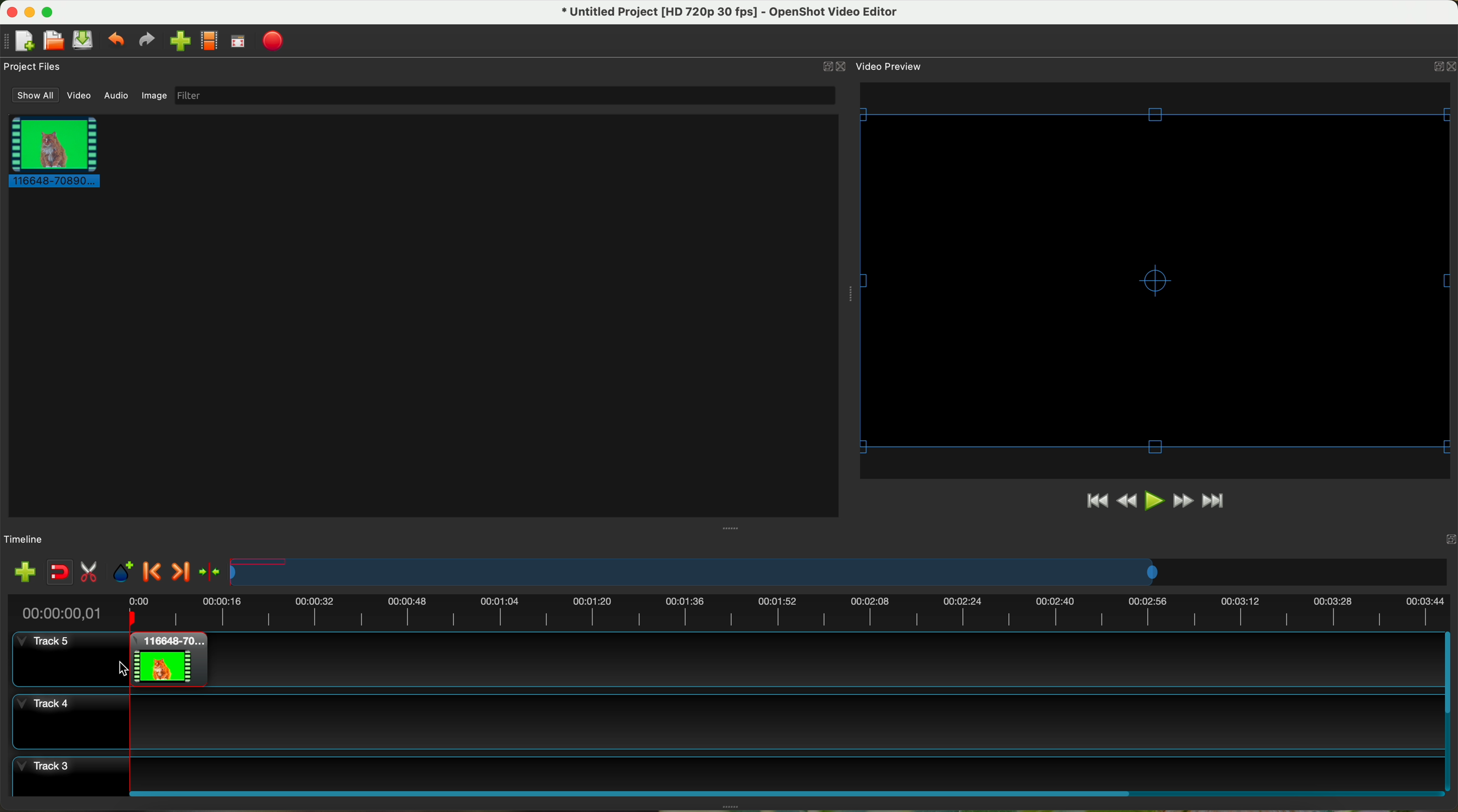 This screenshot has width=1458, height=812. What do you see at coordinates (122, 668) in the screenshot?
I see `mouse up` at bounding box center [122, 668].